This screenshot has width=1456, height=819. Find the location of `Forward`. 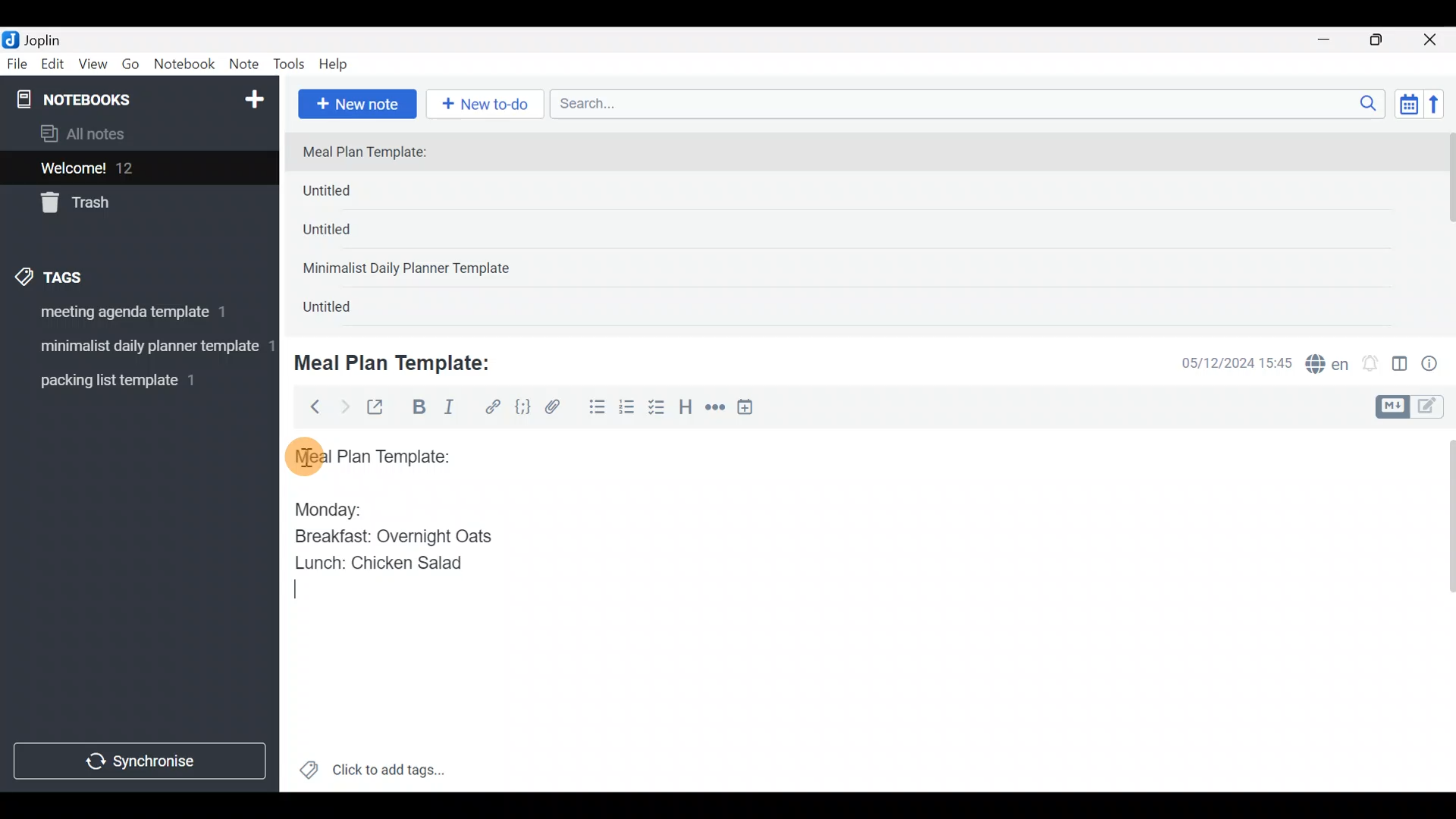

Forward is located at coordinates (344, 406).